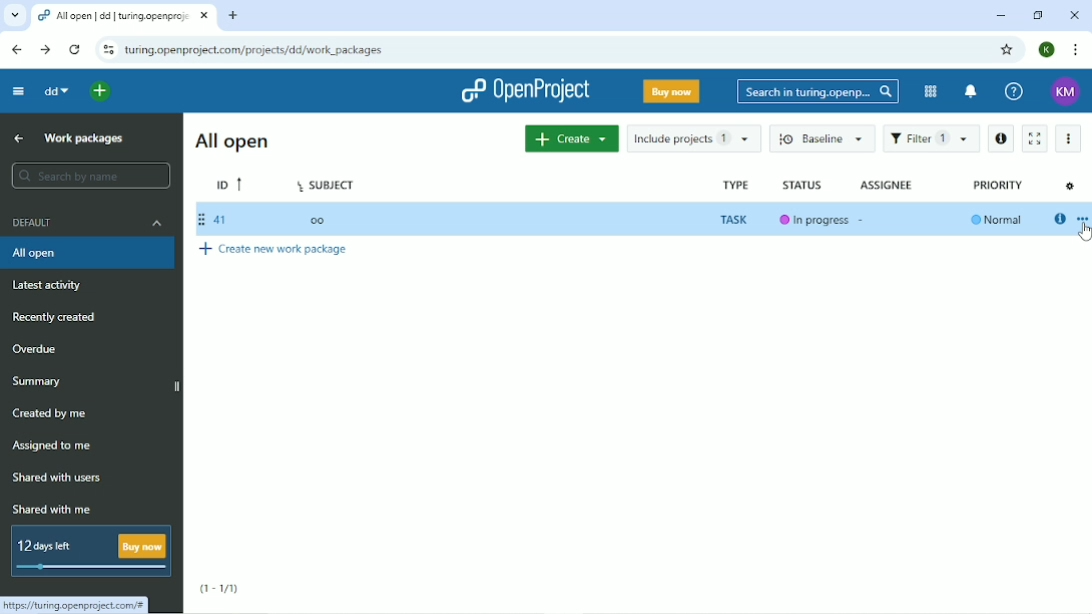  I want to click on Activate zen mode, so click(1037, 138).